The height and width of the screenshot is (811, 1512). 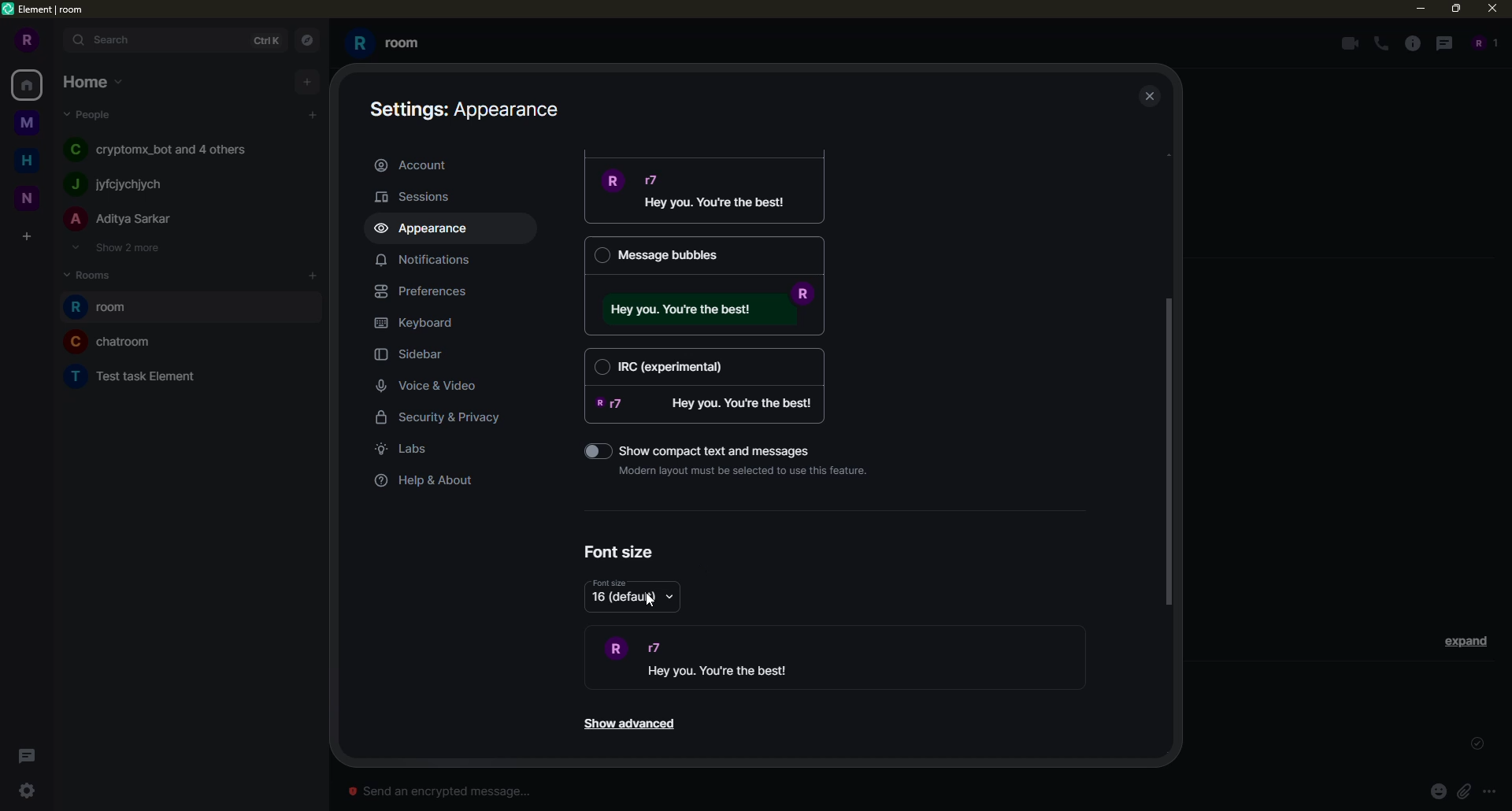 What do you see at coordinates (428, 229) in the screenshot?
I see `appearance` at bounding box center [428, 229].